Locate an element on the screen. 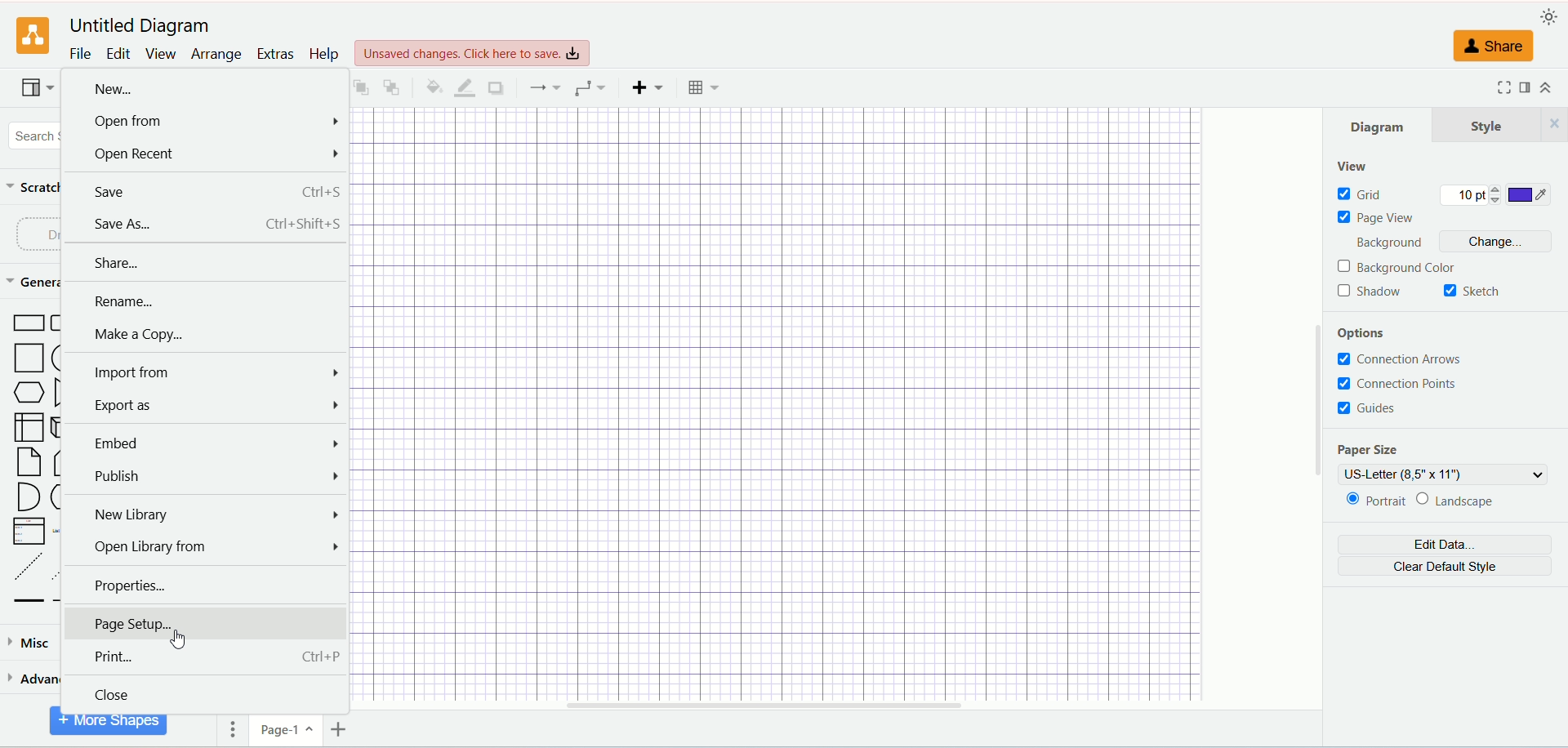 This screenshot has width=1568, height=748. And is located at coordinates (26, 496).